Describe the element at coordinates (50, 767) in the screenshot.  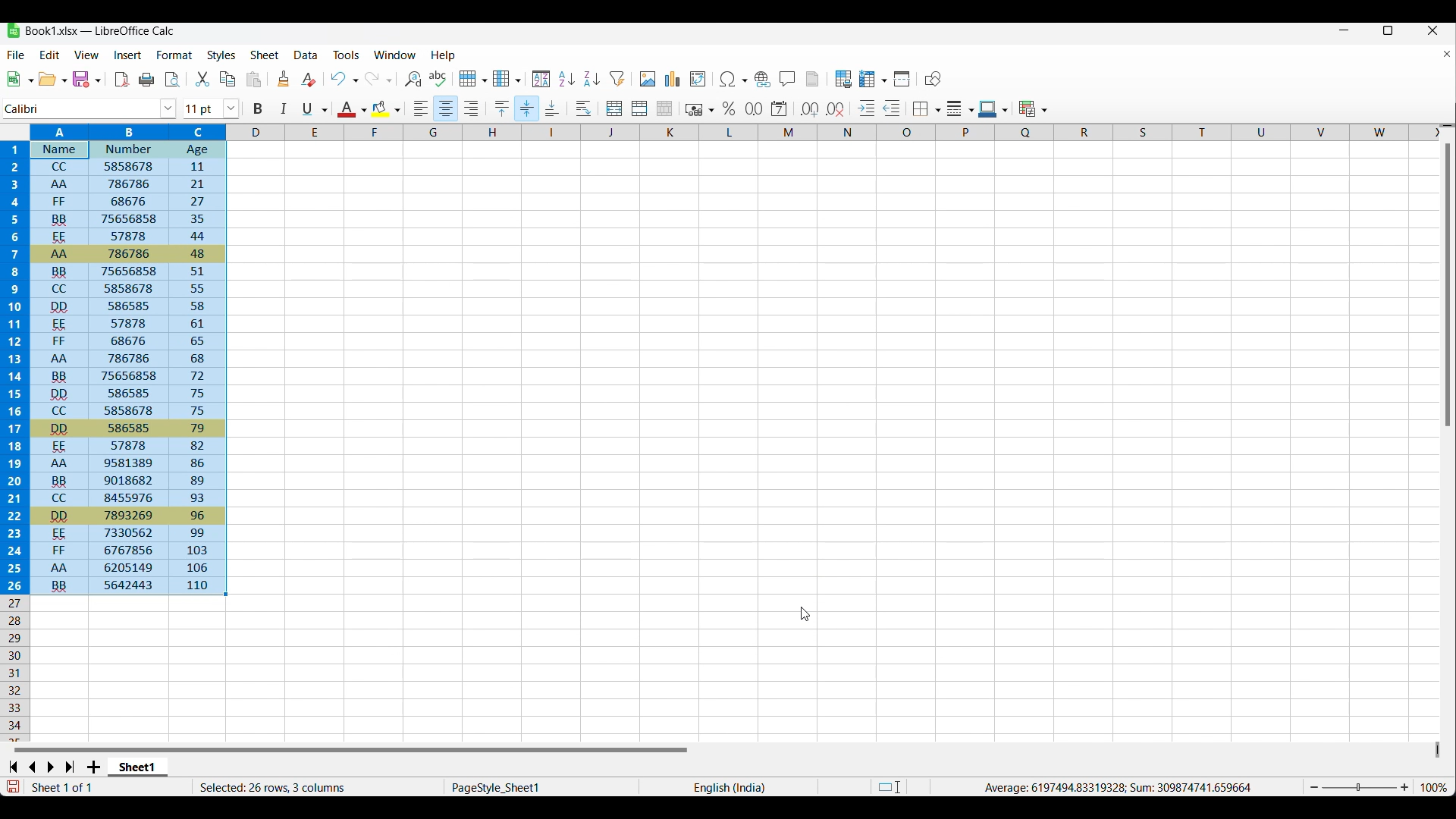
I see `Go to next sheet` at that location.